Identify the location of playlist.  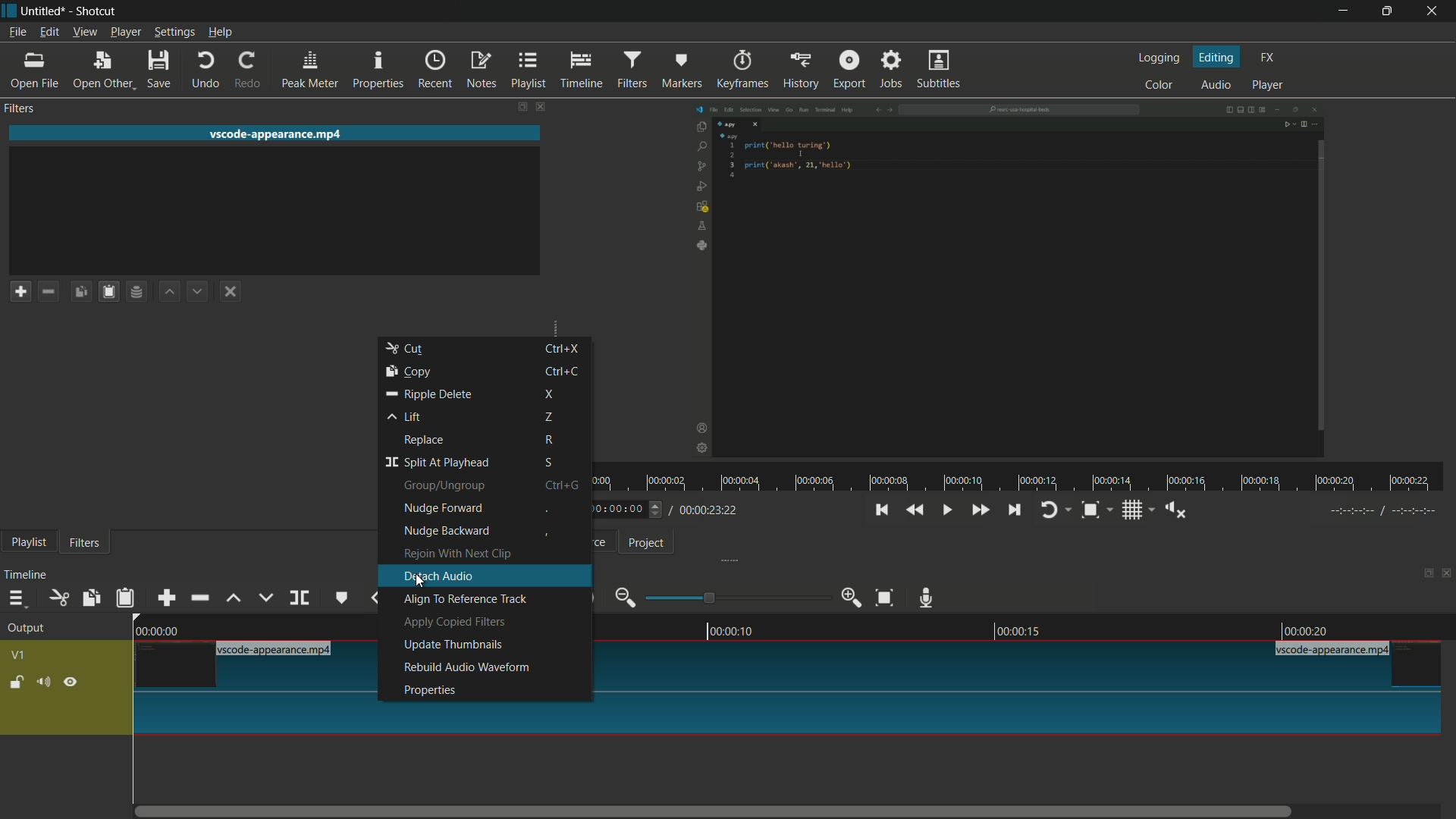
(29, 542).